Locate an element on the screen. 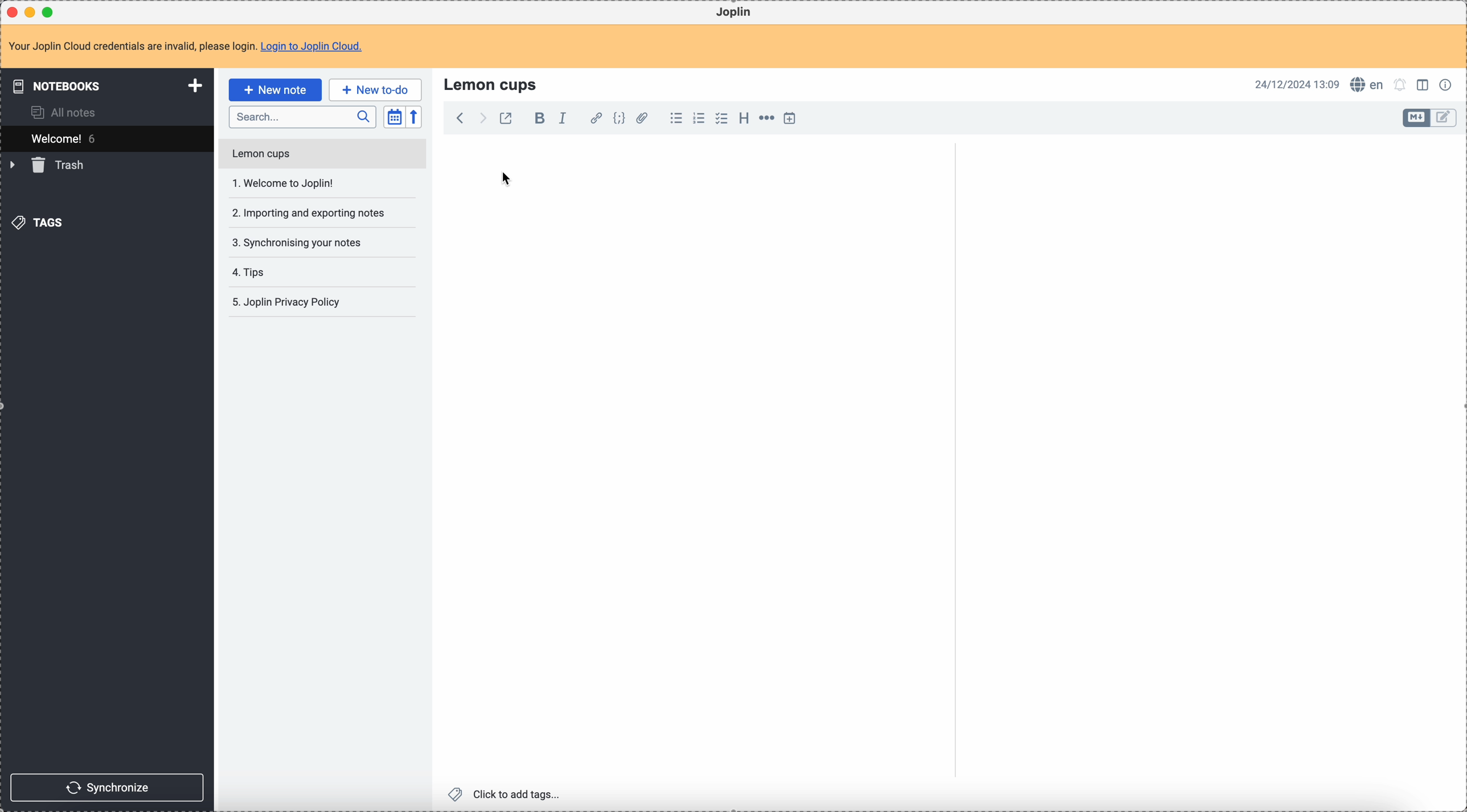 Image resolution: width=1467 pixels, height=812 pixels. italic is located at coordinates (562, 117).